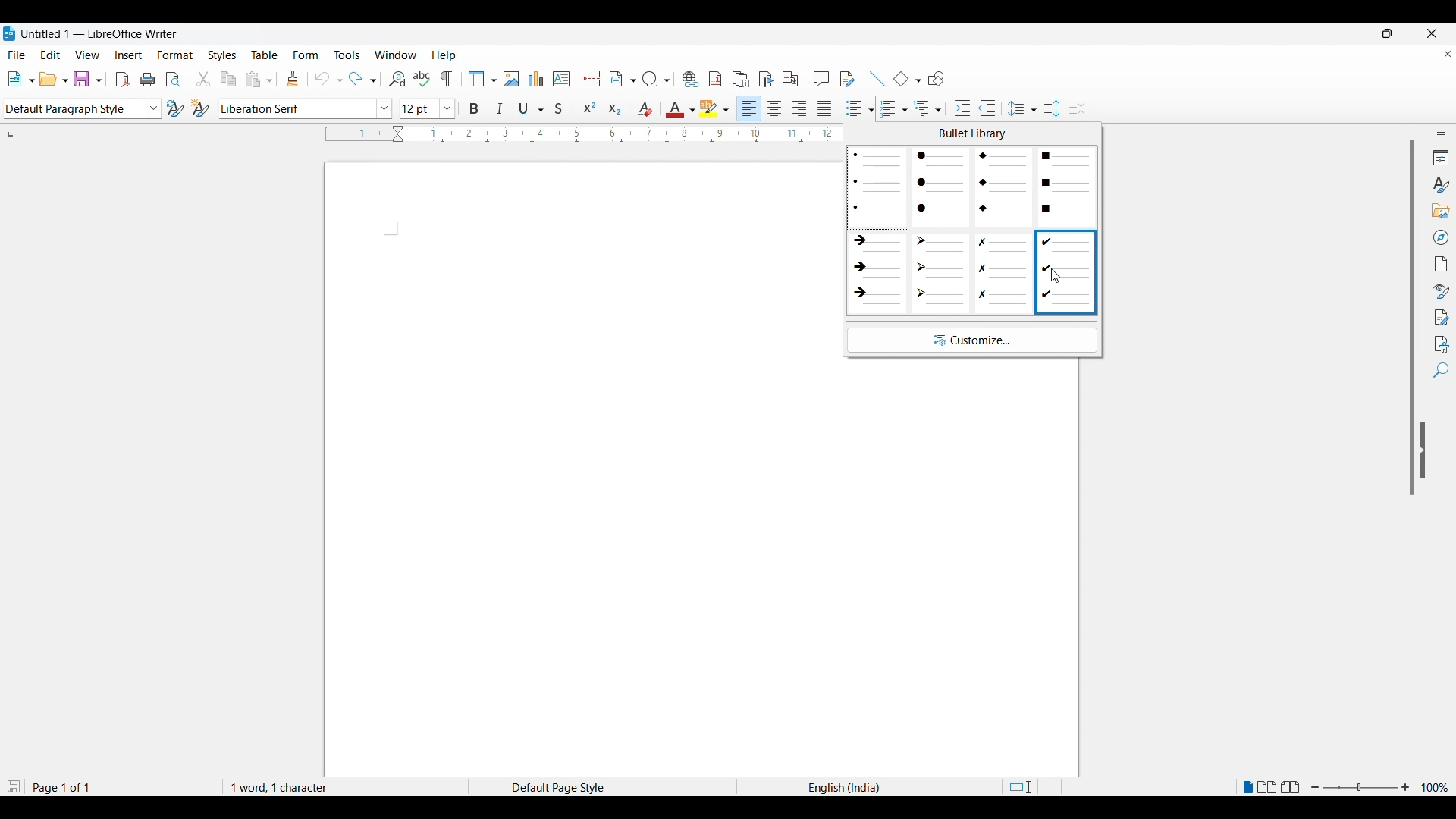 The height and width of the screenshot is (819, 1456). What do you see at coordinates (1436, 786) in the screenshot?
I see `100%` at bounding box center [1436, 786].